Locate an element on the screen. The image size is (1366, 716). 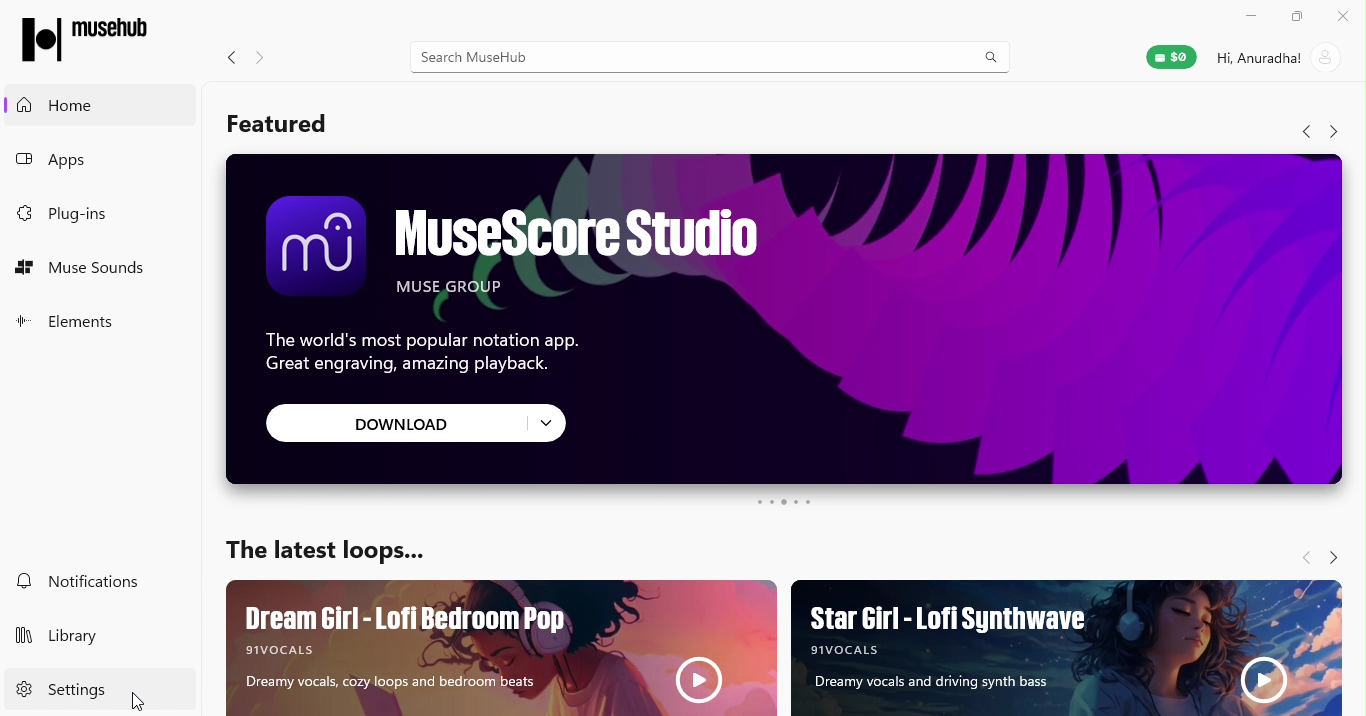
Muse wallet is located at coordinates (1174, 61).